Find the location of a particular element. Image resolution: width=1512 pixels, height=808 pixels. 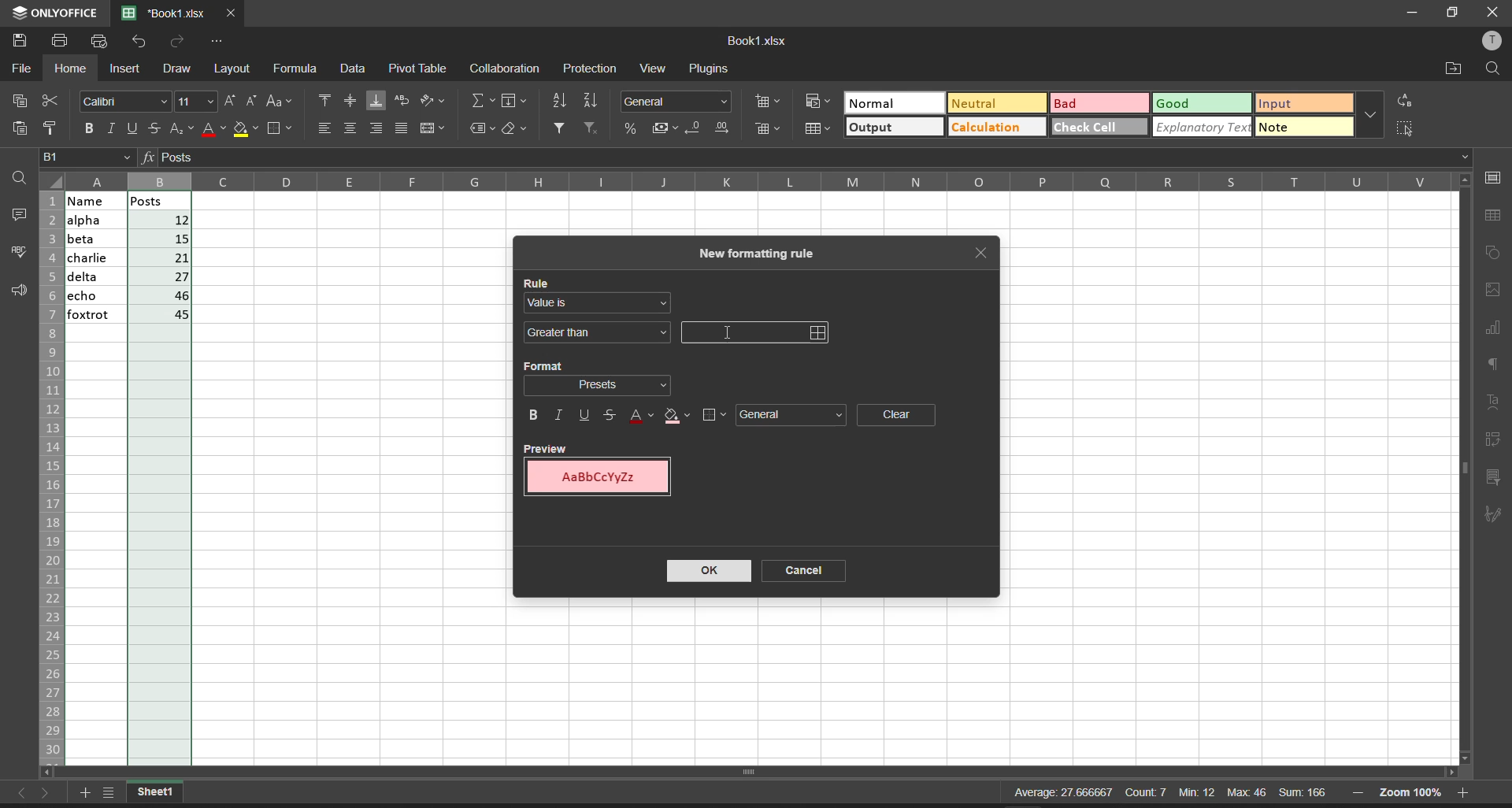

name is located at coordinates (90, 259).